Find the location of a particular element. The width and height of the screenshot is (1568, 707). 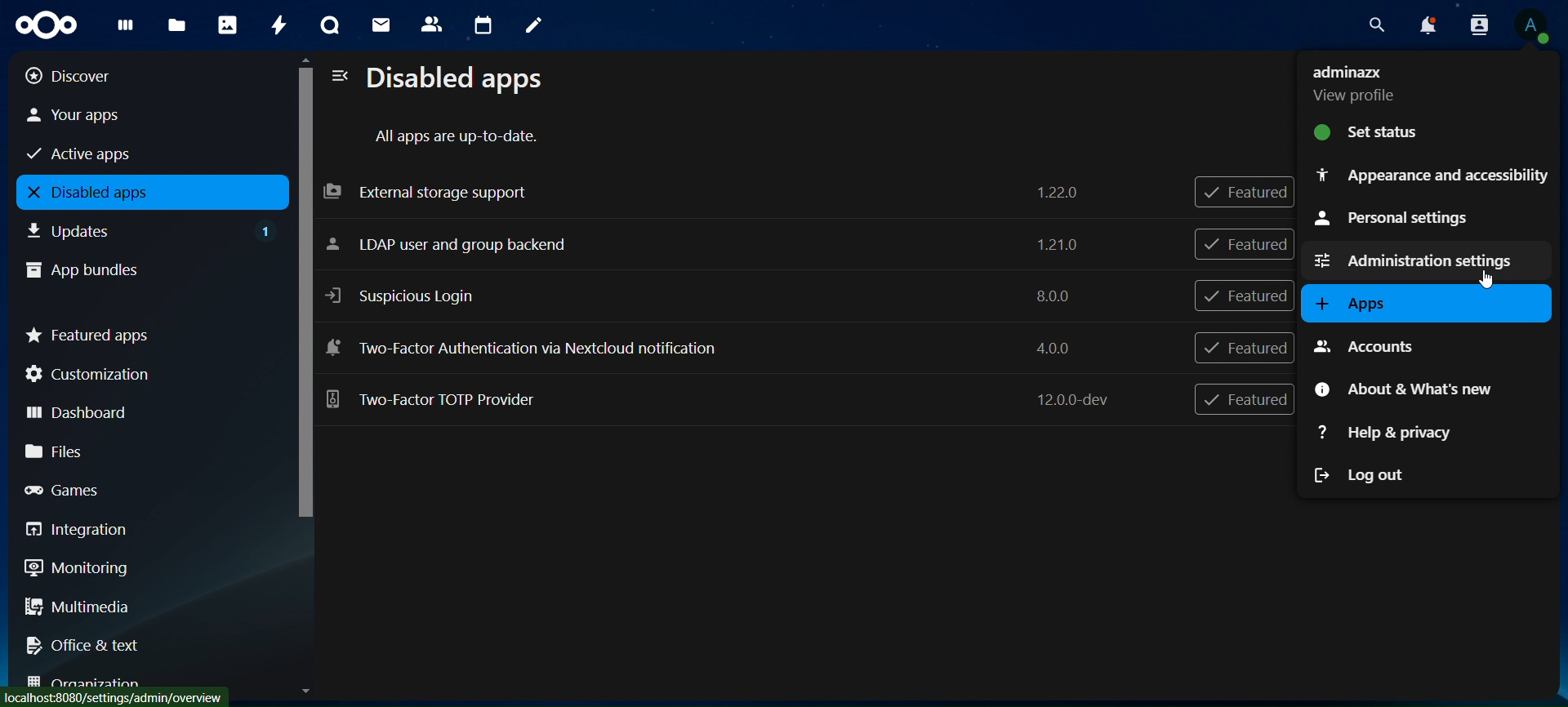

icon is located at coordinates (43, 23).